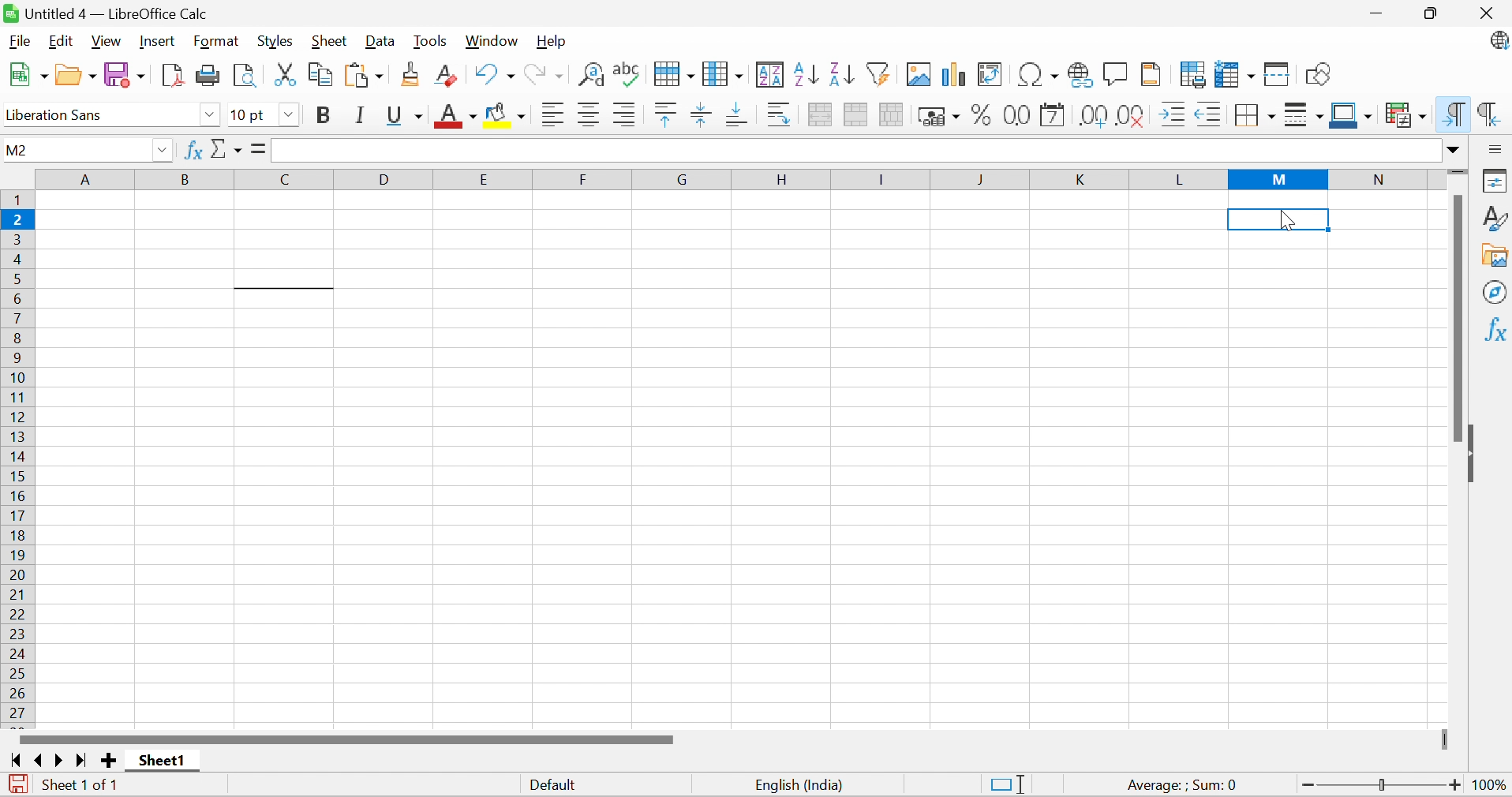 Image resolution: width=1512 pixels, height=797 pixels. I want to click on Untitled 4 - LibreOffice Calc, so click(105, 12).